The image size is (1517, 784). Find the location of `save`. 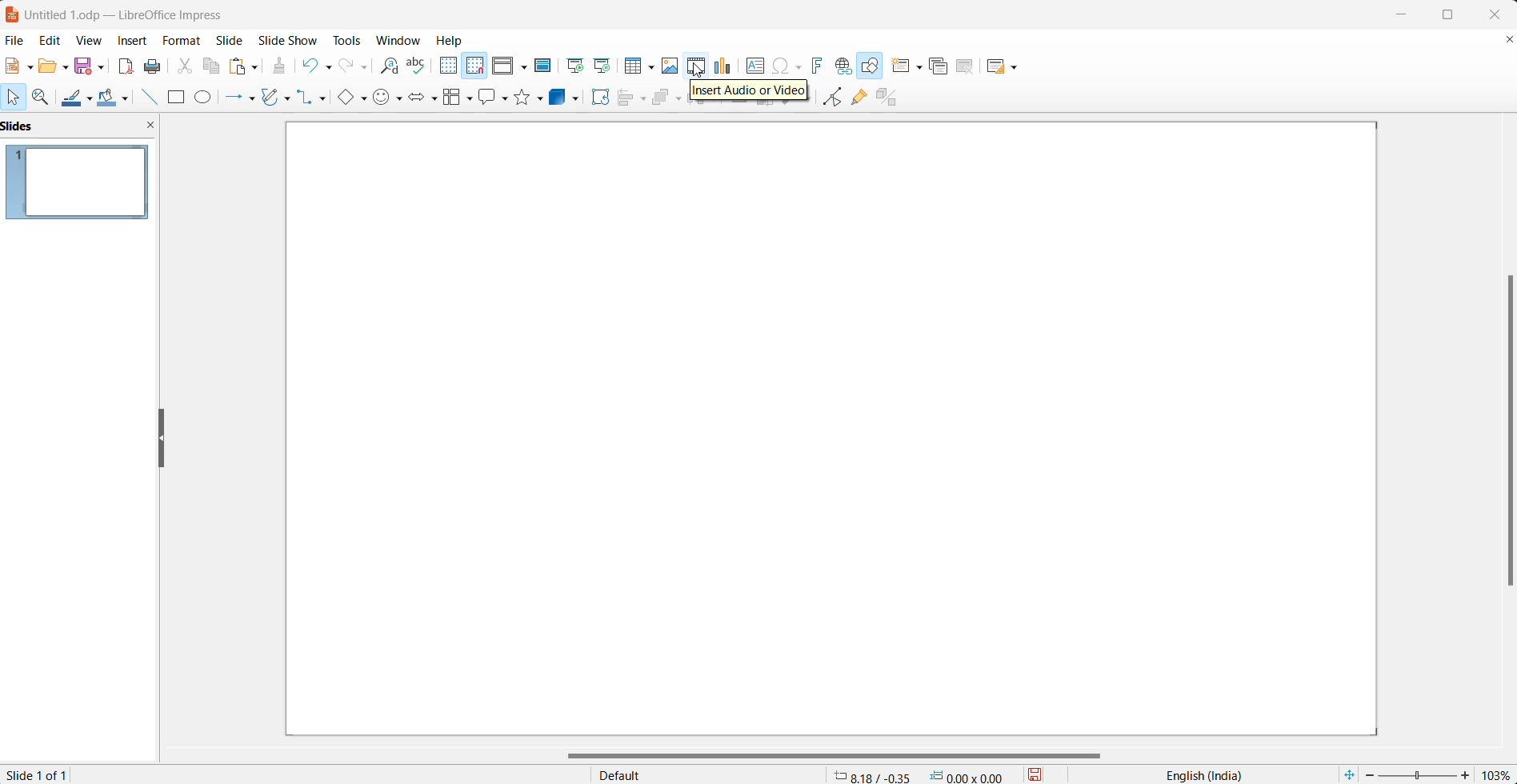

save is located at coordinates (1043, 774).